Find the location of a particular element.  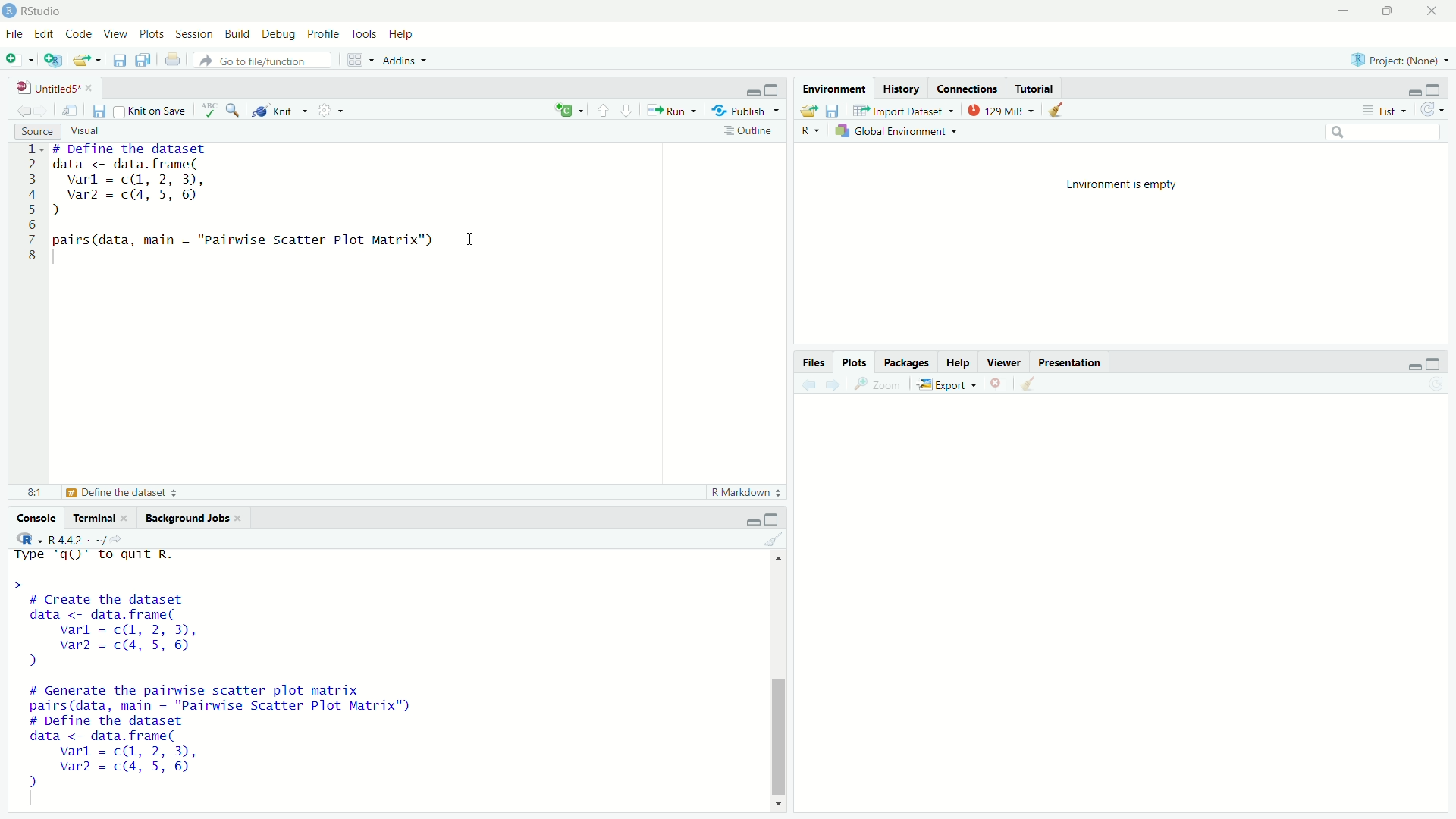

Maximize is located at coordinates (1436, 362).